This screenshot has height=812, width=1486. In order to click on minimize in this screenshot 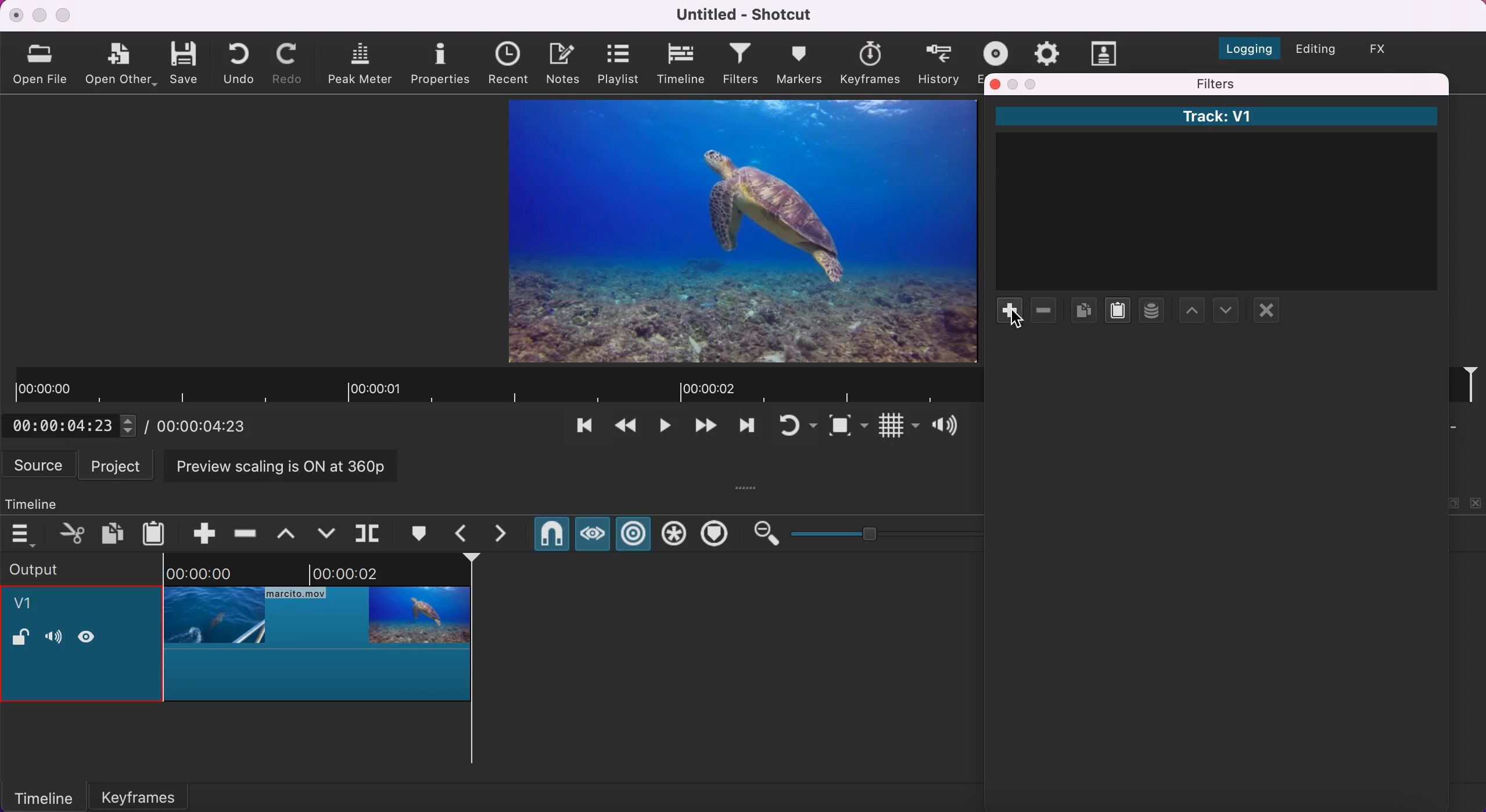, I will do `click(1014, 84)`.